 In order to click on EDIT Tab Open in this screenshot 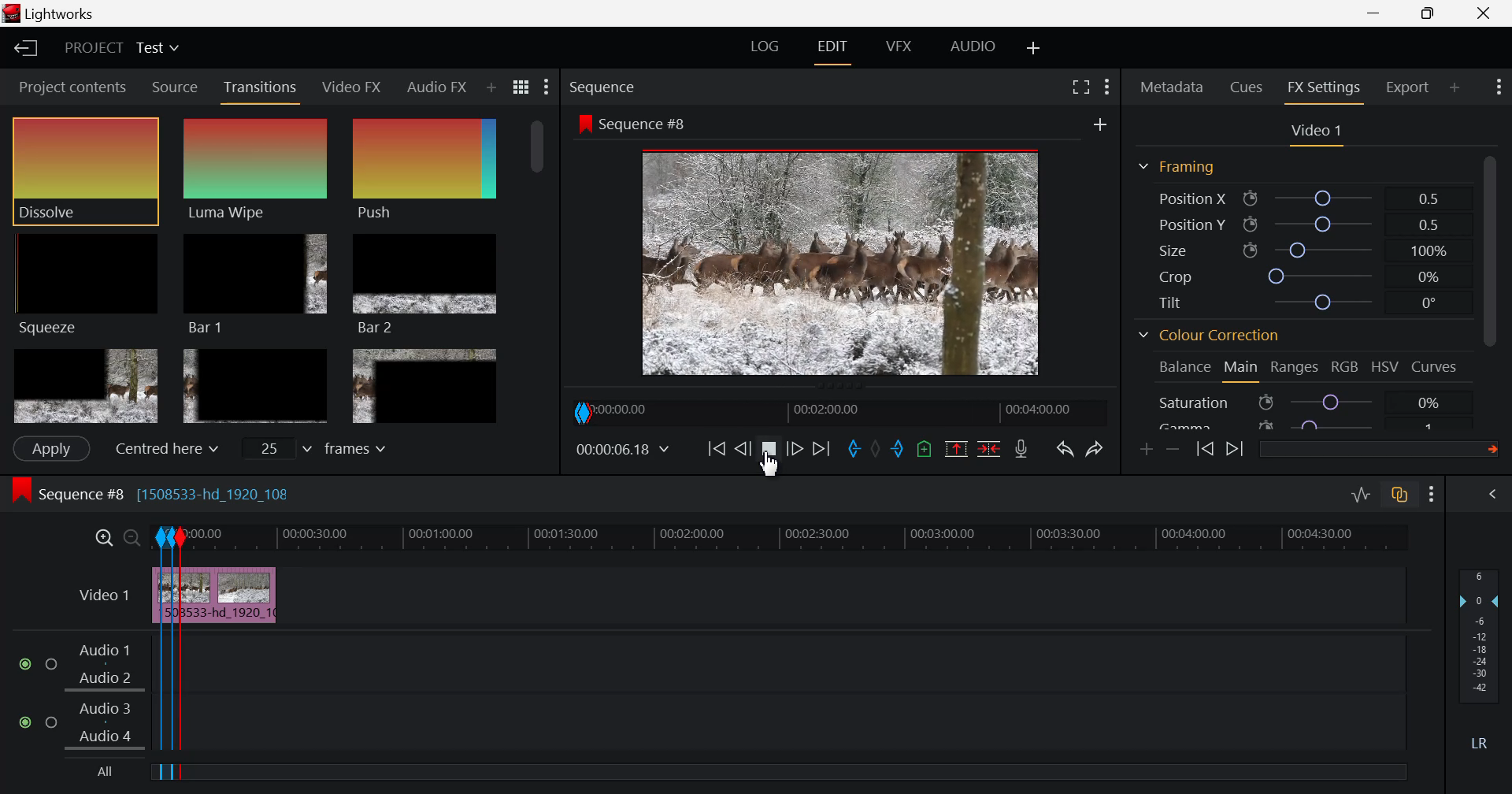, I will do `click(836, 46)`.